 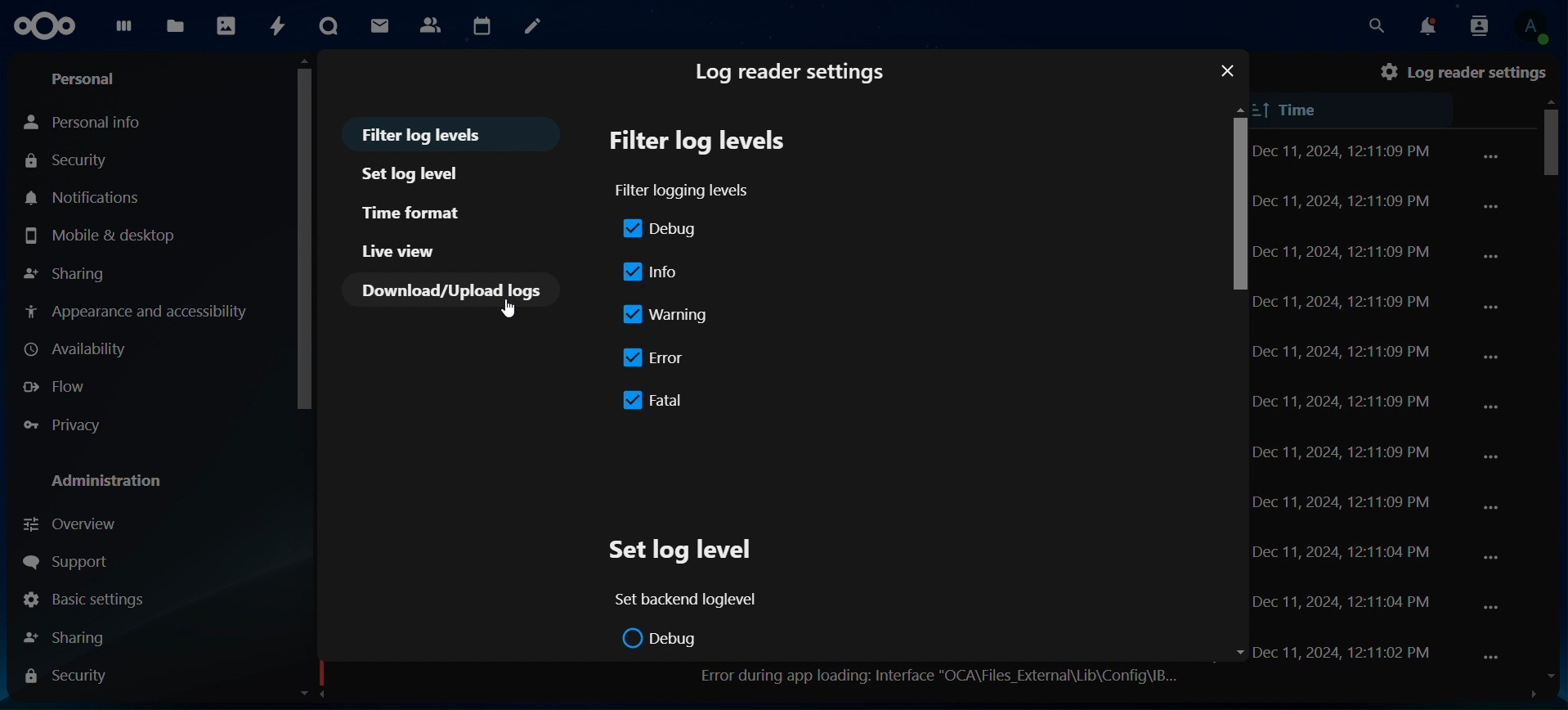 I want to click on personal, so click(x=87, y=79).